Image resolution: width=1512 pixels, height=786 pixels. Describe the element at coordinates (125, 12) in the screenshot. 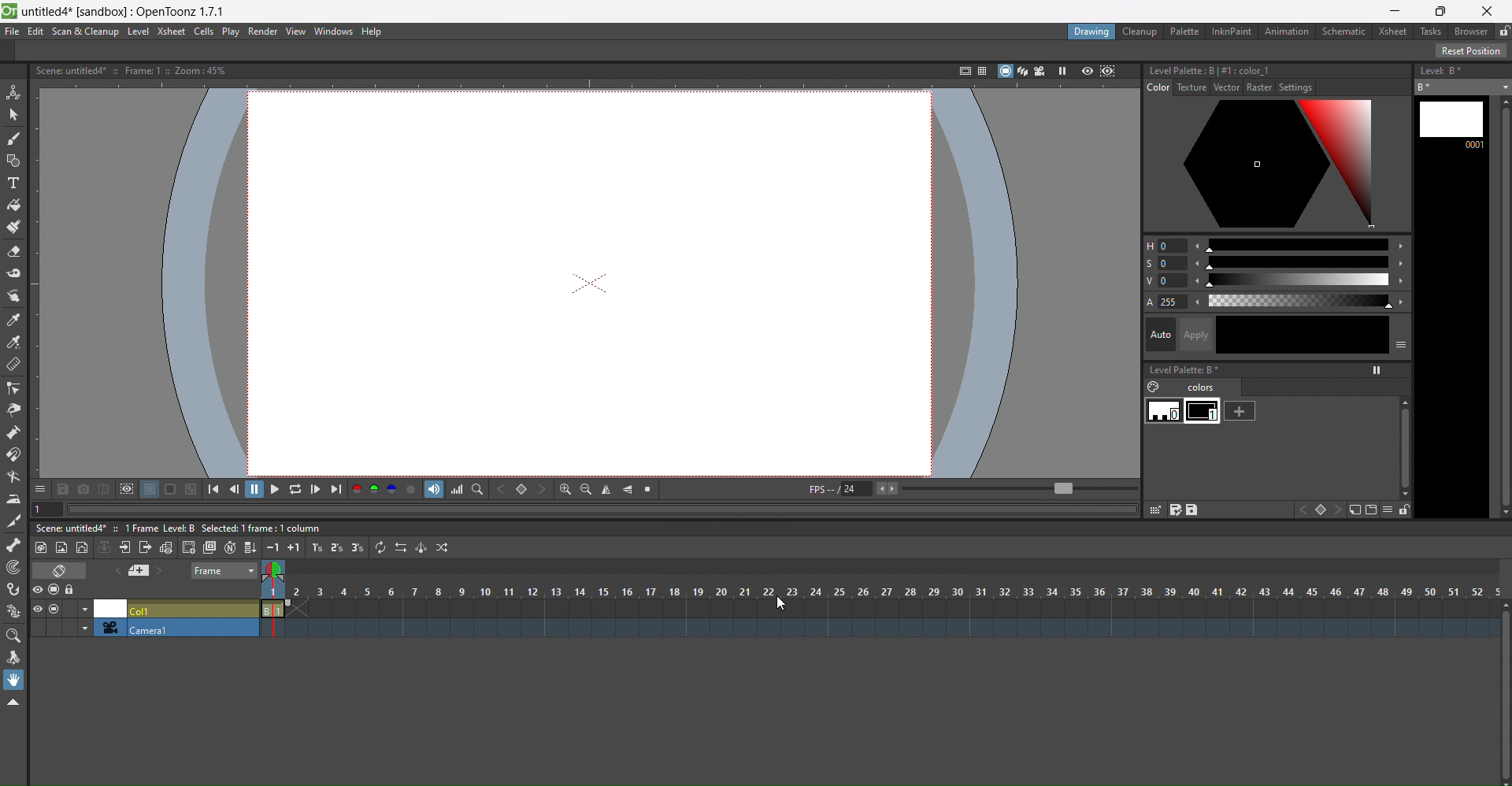

I see `file name app name and version` at that location.